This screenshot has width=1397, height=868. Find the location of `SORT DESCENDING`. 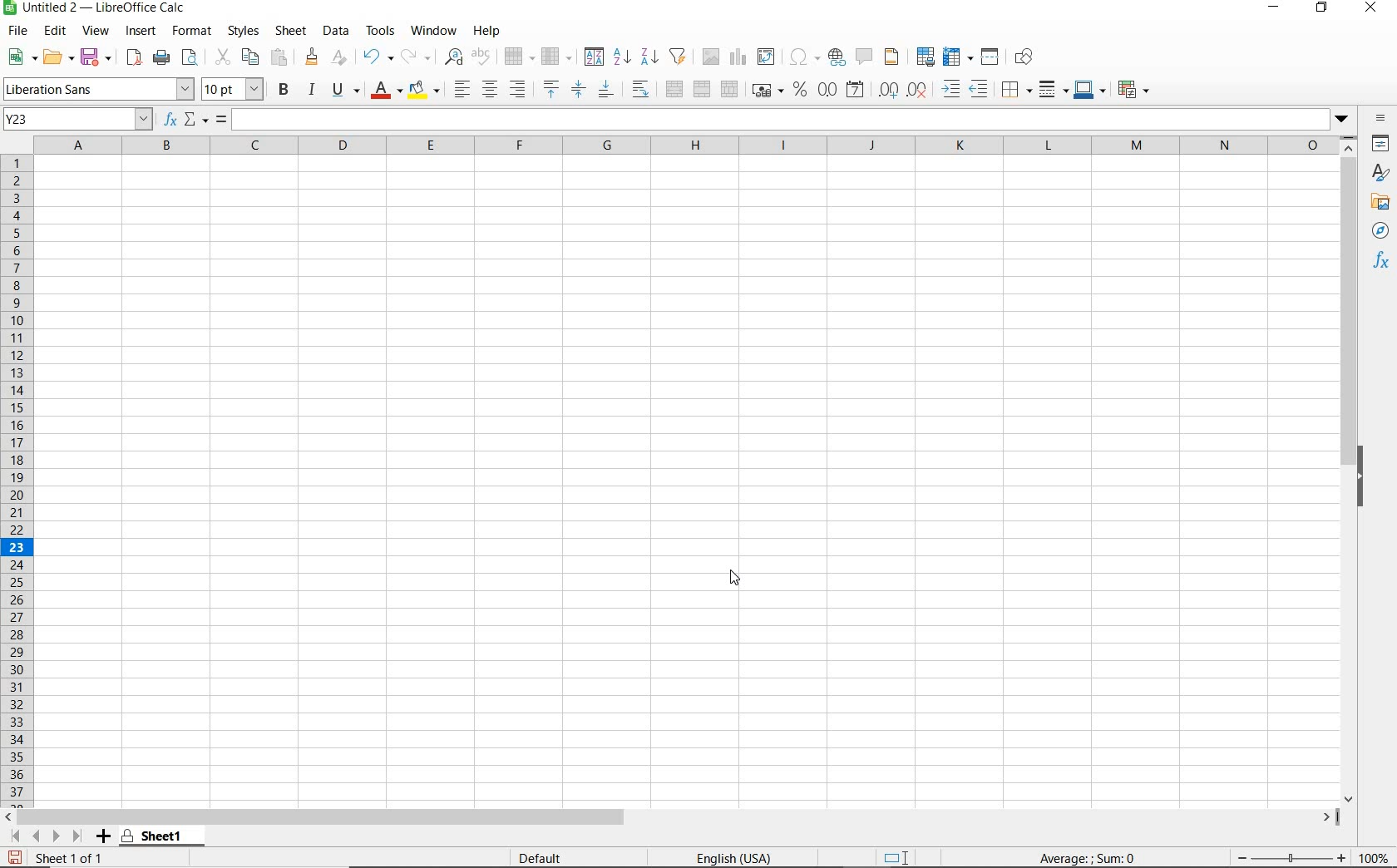

SORT DESCENDING is located at coordinates (649, 57).